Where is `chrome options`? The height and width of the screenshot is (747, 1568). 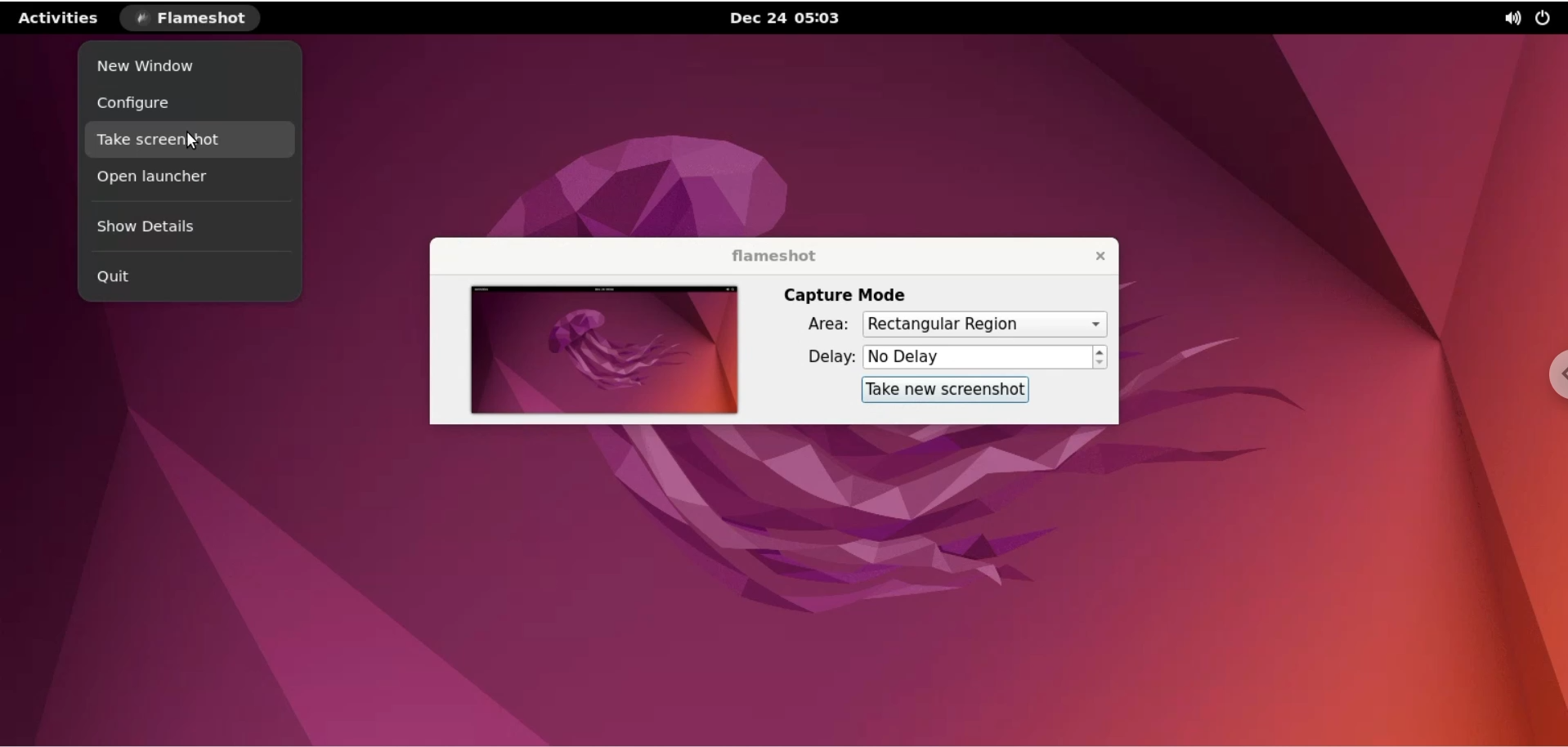 chrome options is located at coordinates (1539, 364).